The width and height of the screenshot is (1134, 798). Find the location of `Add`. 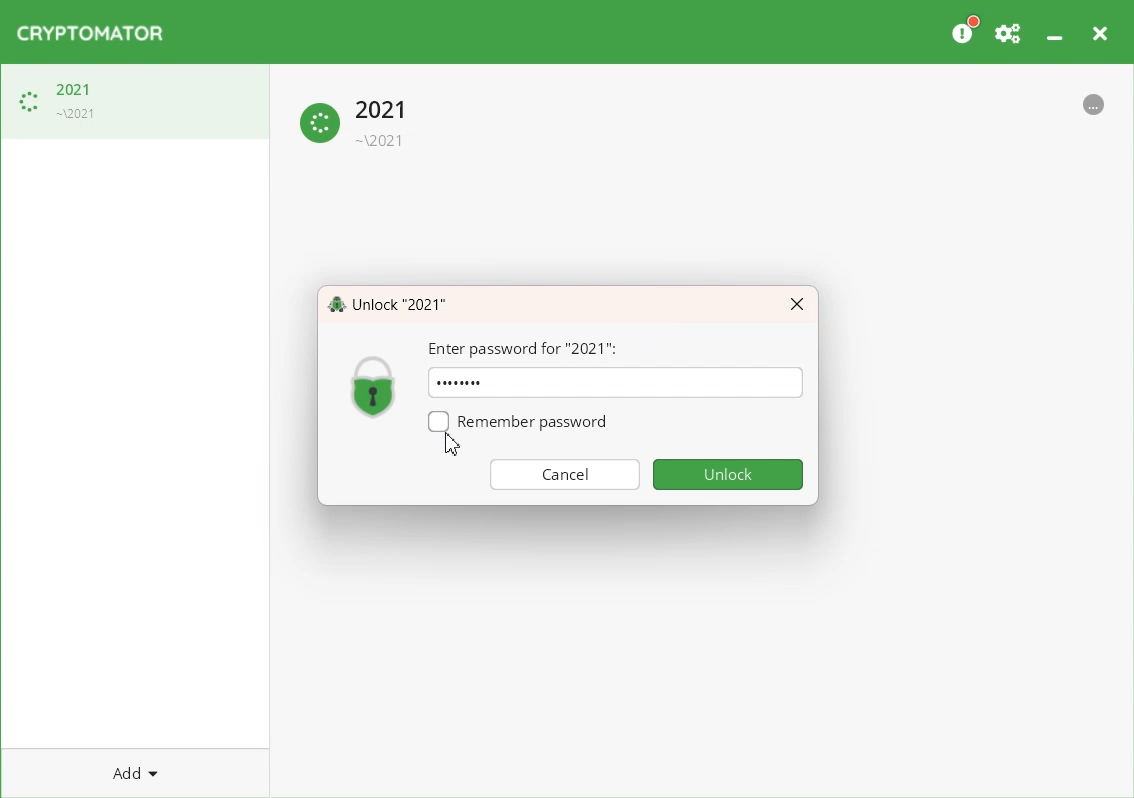

Add is located at coordinates (135, 772).